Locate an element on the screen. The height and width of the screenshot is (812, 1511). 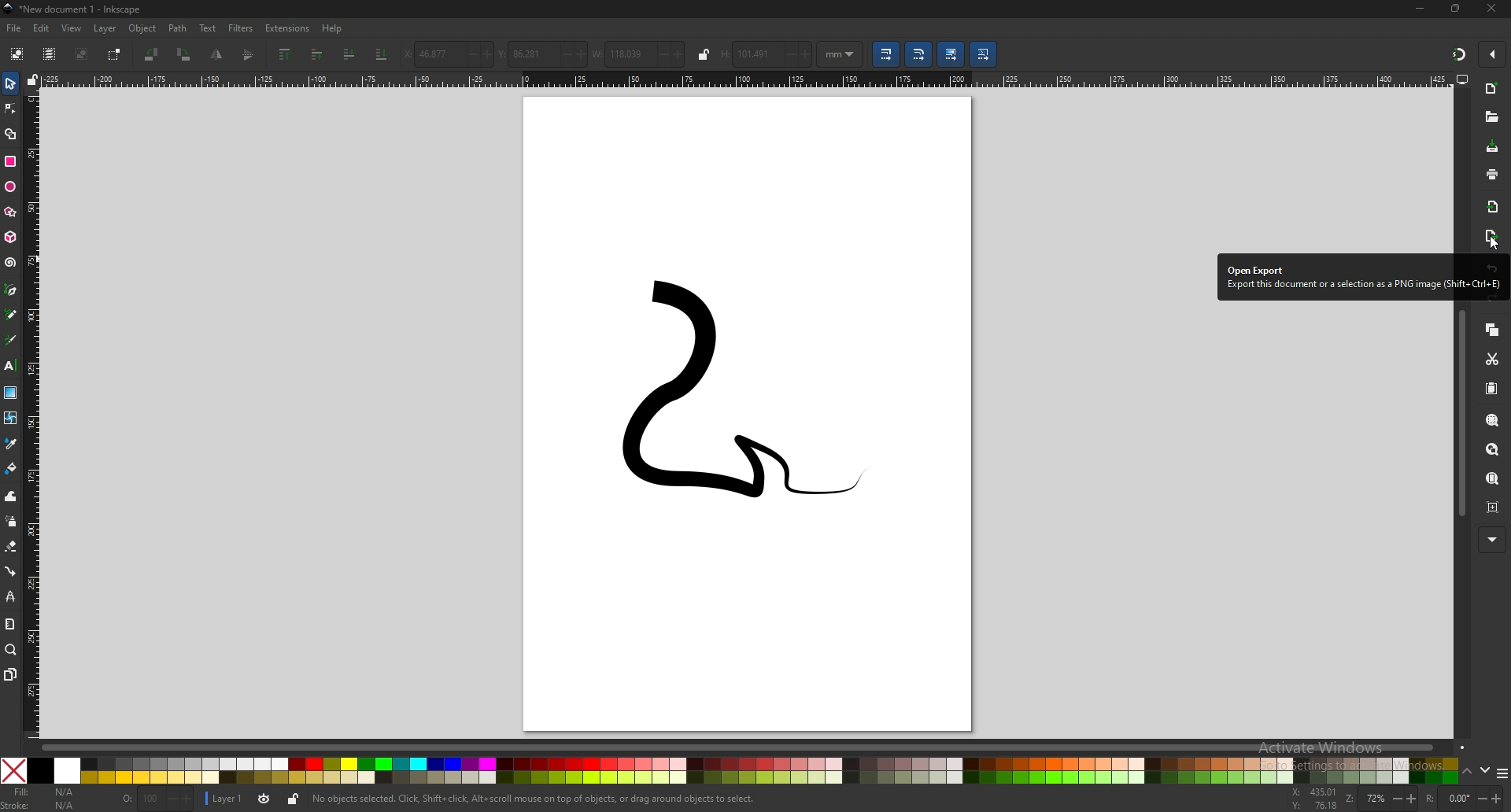
drawing is located at coordinates (728, 400).